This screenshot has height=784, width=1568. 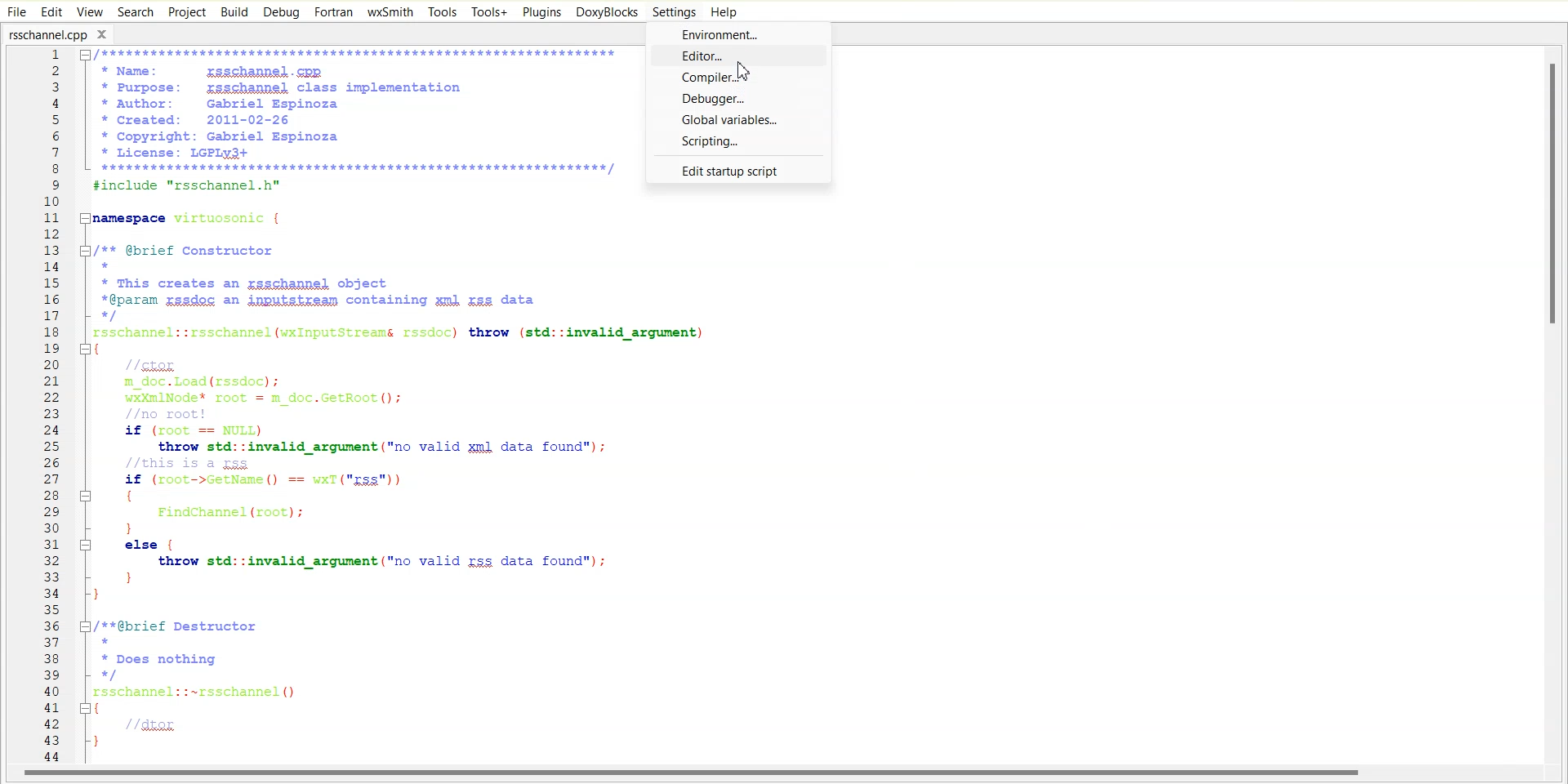 I want to click on Tools, so click(x=442, y=11).